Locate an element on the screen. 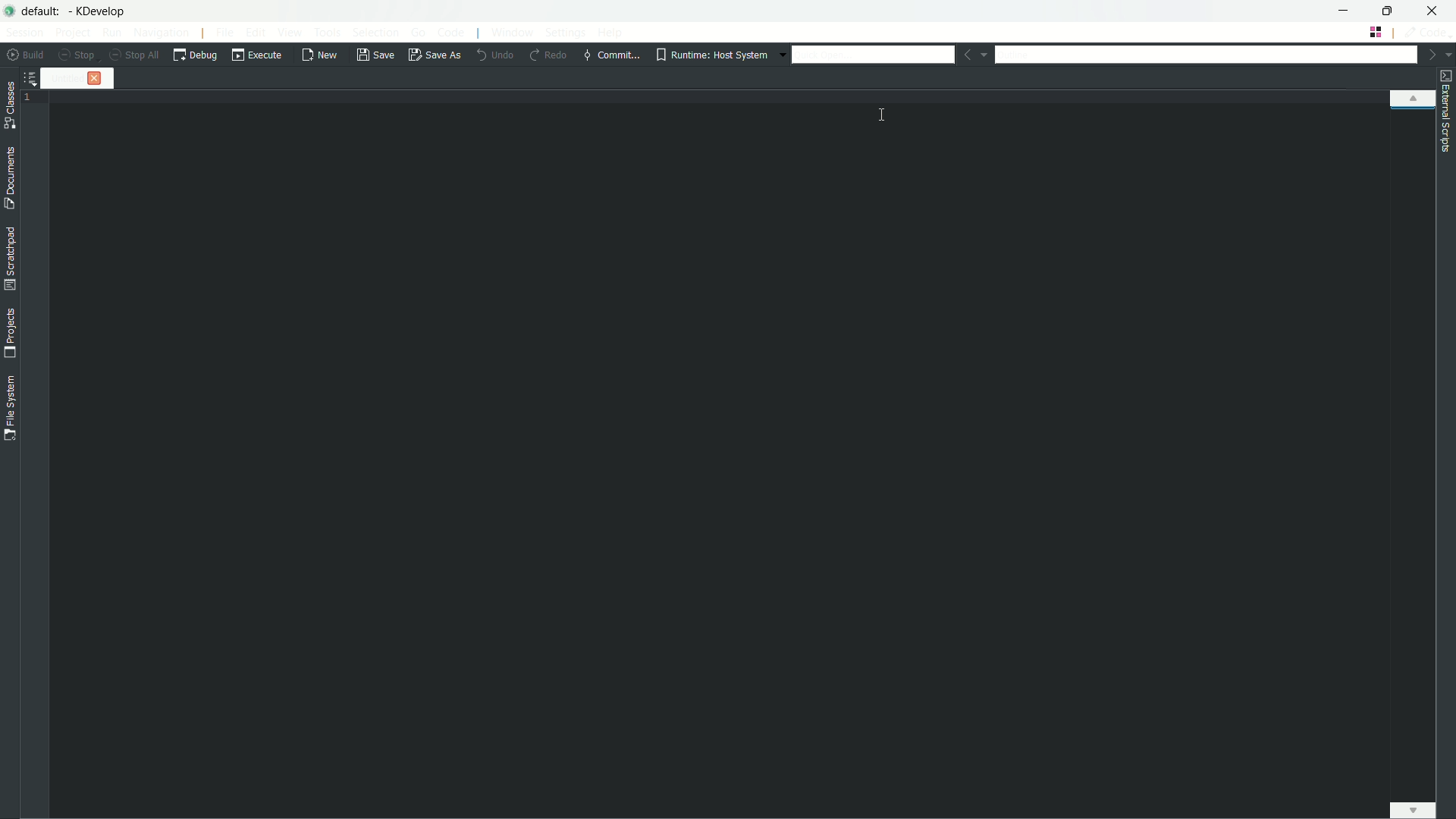 The height and width of the screenshot is (819, 1456). new is located at coordinates (322, 55).